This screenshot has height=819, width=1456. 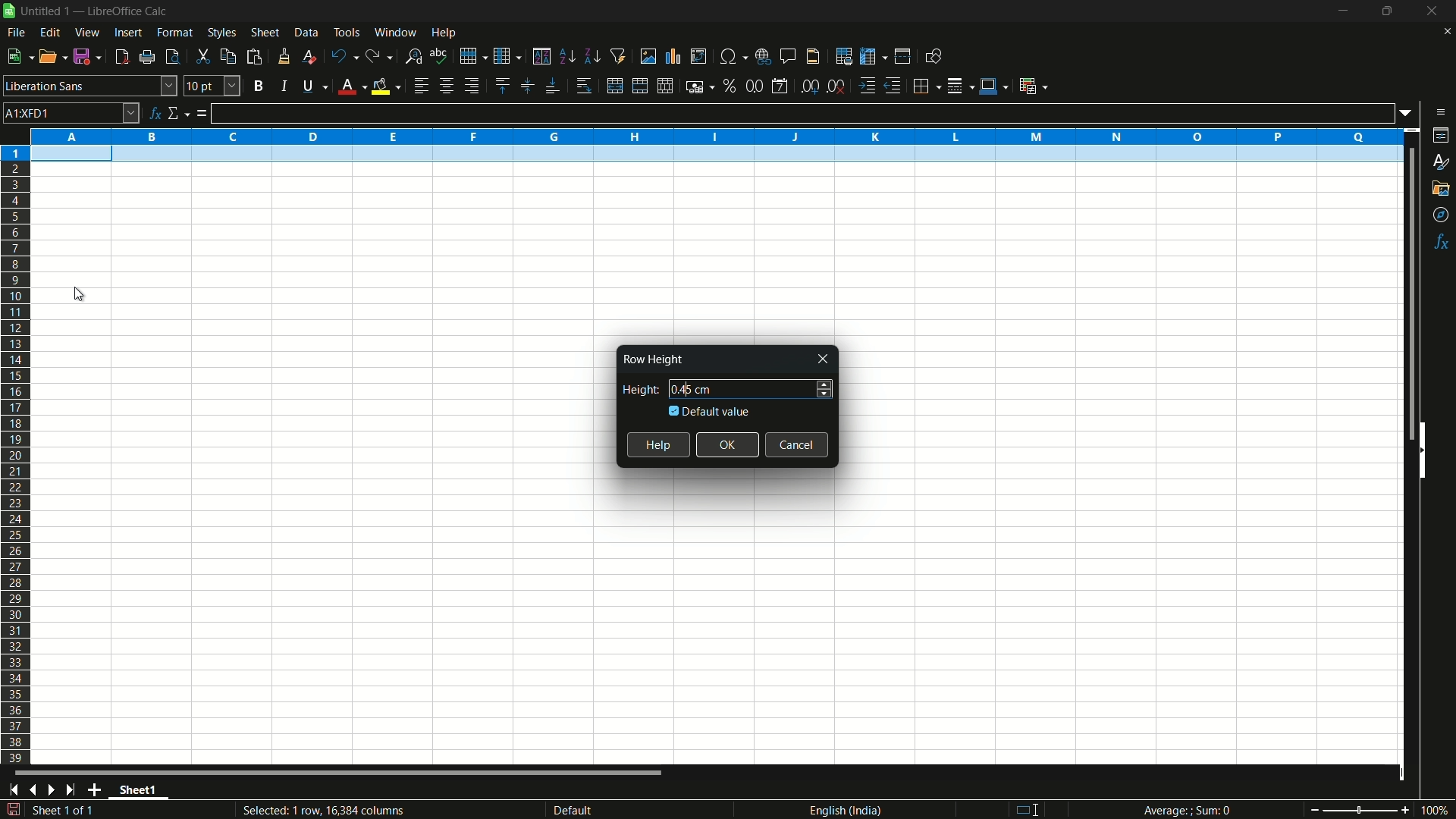 What do you see at coordinates (307, 56) in the screenshot?
I see `clear direct formatting` at bounding box center [307, 56].